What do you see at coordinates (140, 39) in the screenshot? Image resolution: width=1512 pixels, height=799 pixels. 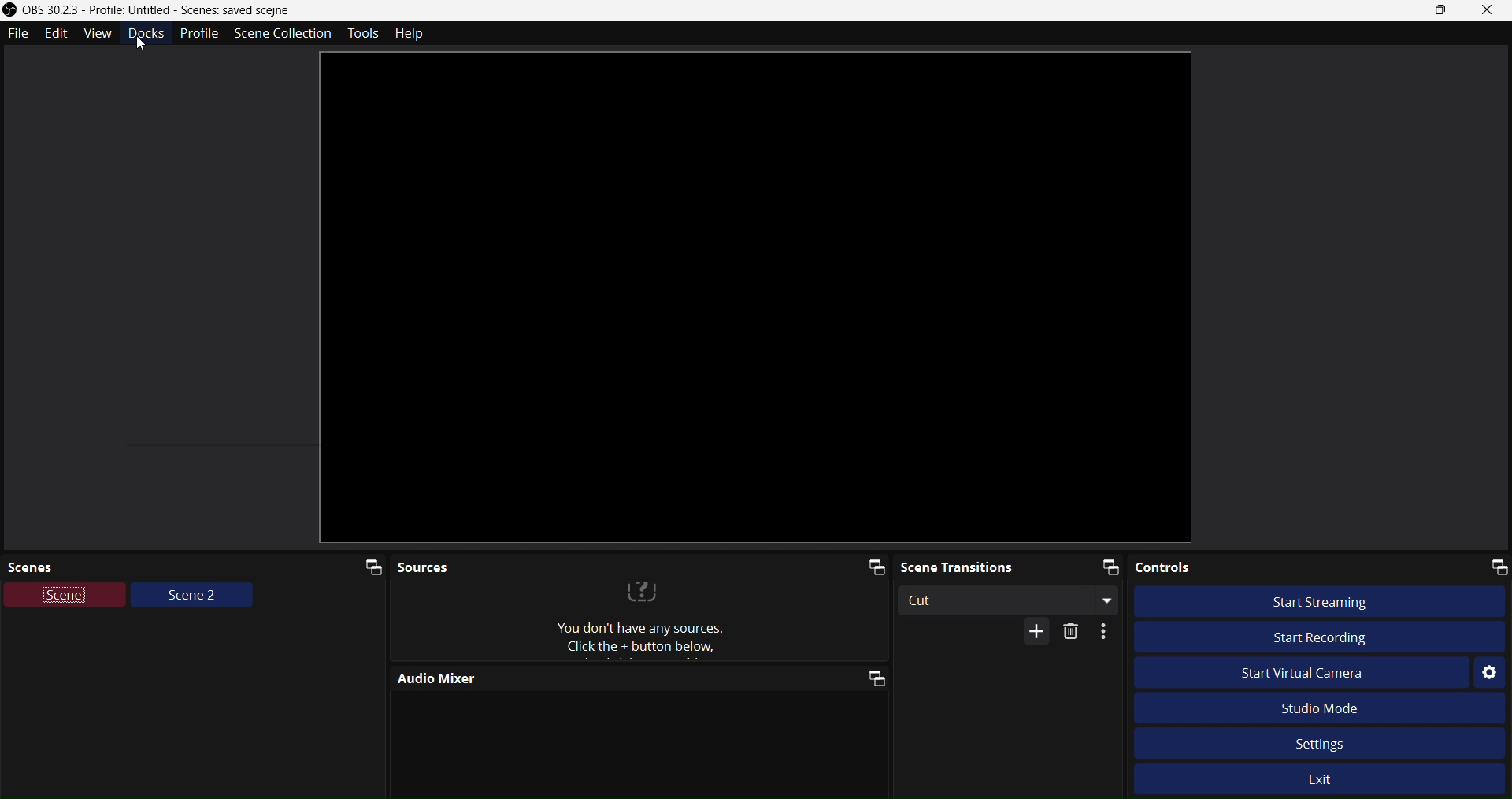 I see `Docks` at bounding box center [140, 39].